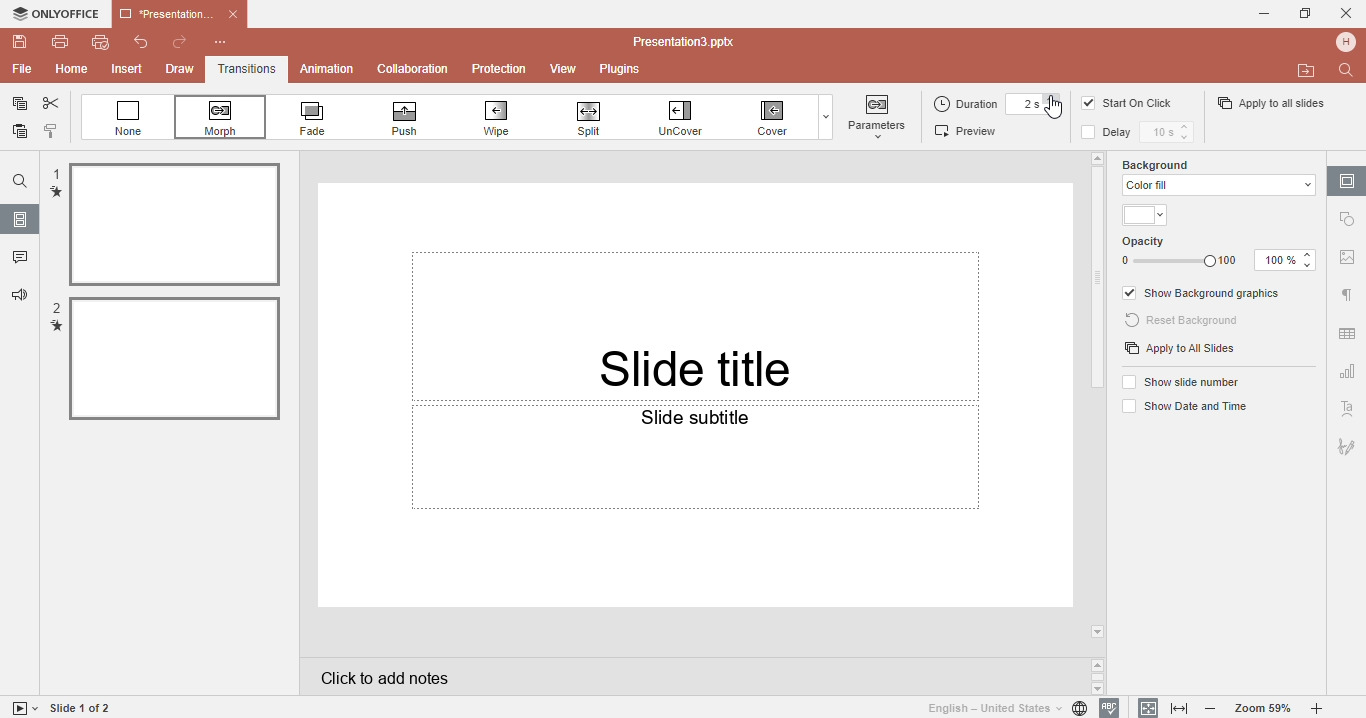 This screenshot has height=718, width=1366. What do you see at coordinates (1348, 330) in the screenshot?
I see `Table setting` at bounding box center [1348, 330].